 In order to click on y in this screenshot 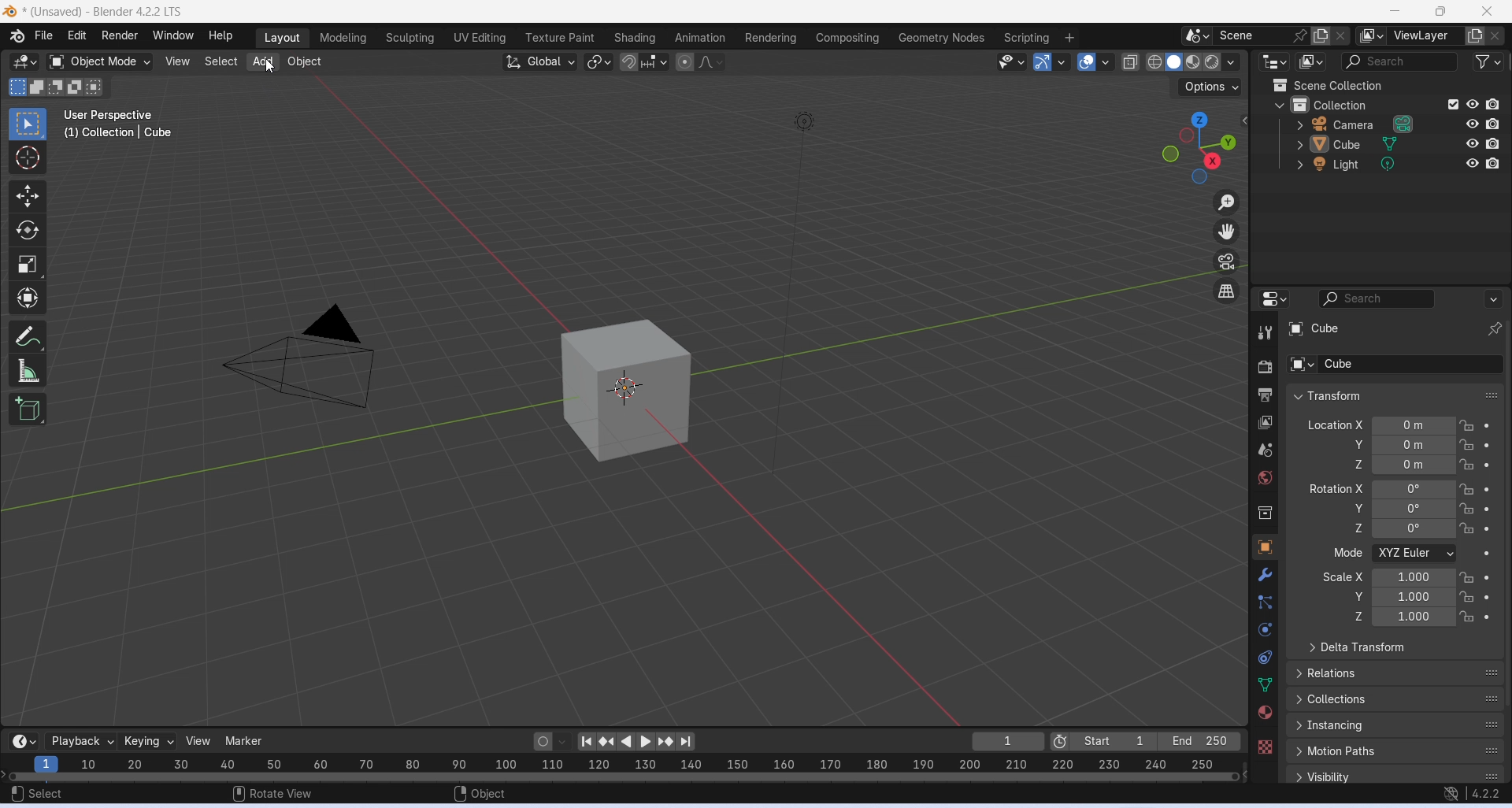, I will do `click(1354, 444)`.